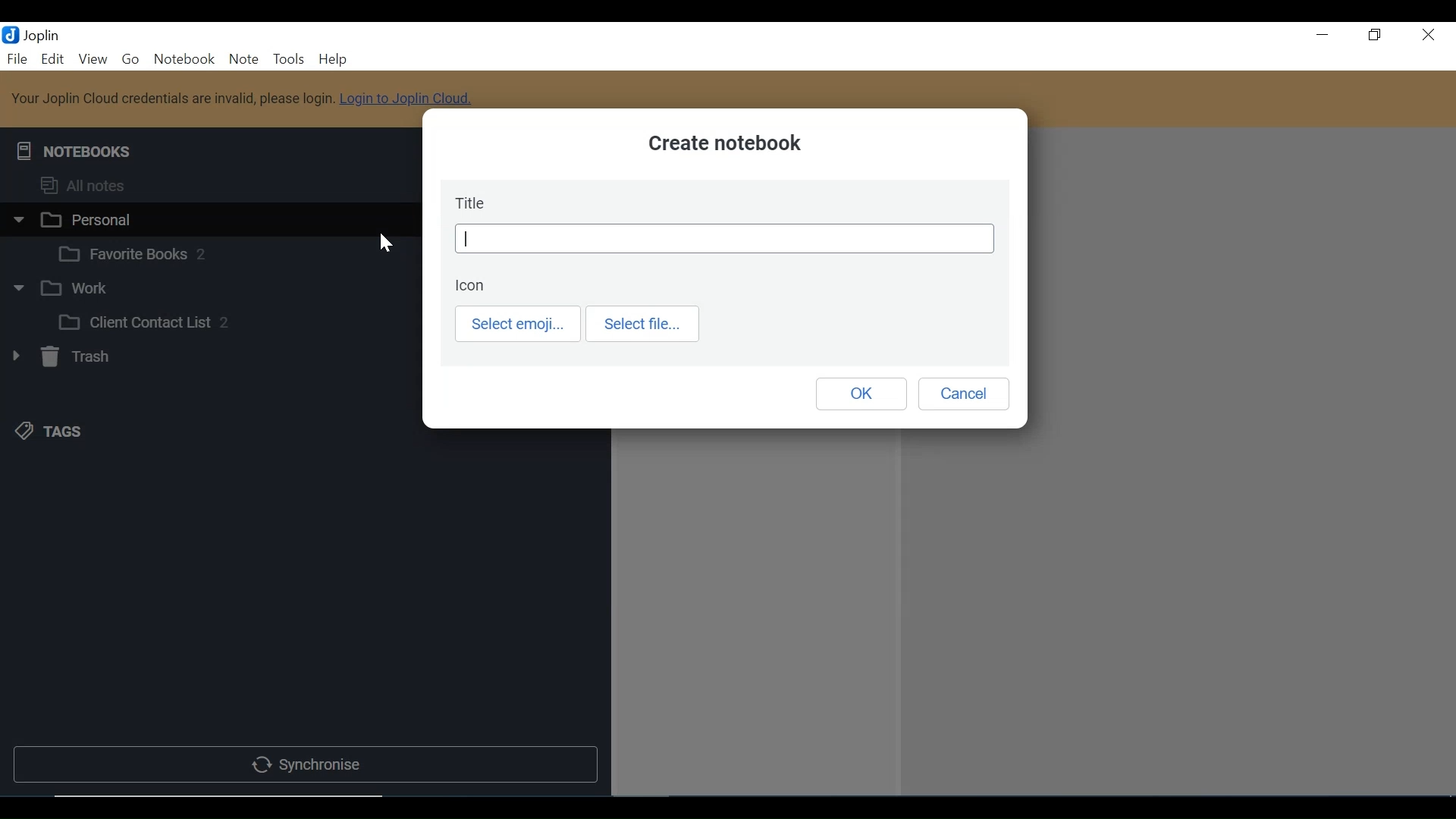 The width and height of the screenshot is (1456, 819). Describe the element at coordinates (1323, 37) in the screenshot. I see `minimize` at that location.